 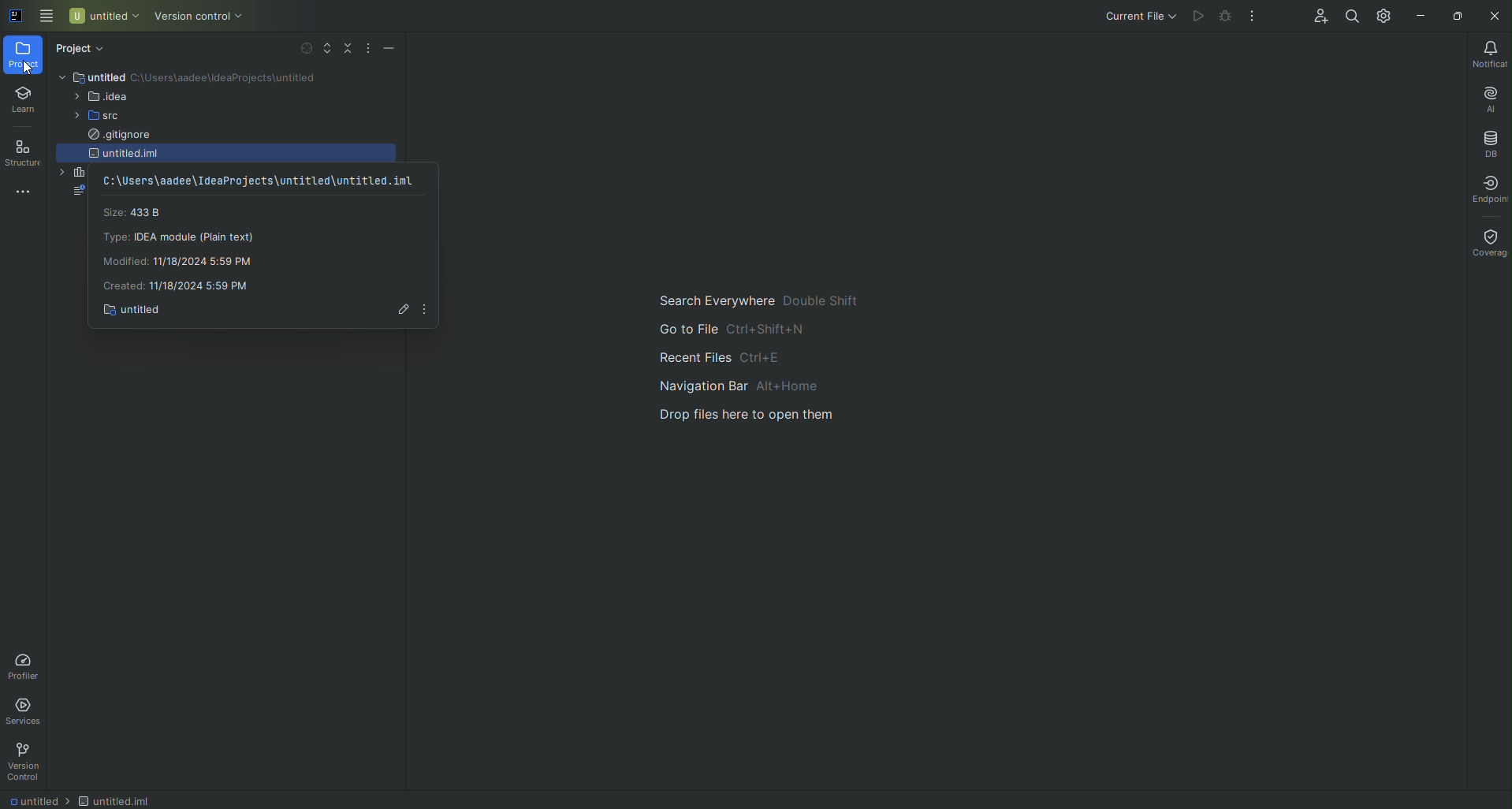 What do you see at coordinates (18, 191) in the screenshot?
I see `More Tools` at bounding box center [18, 191].